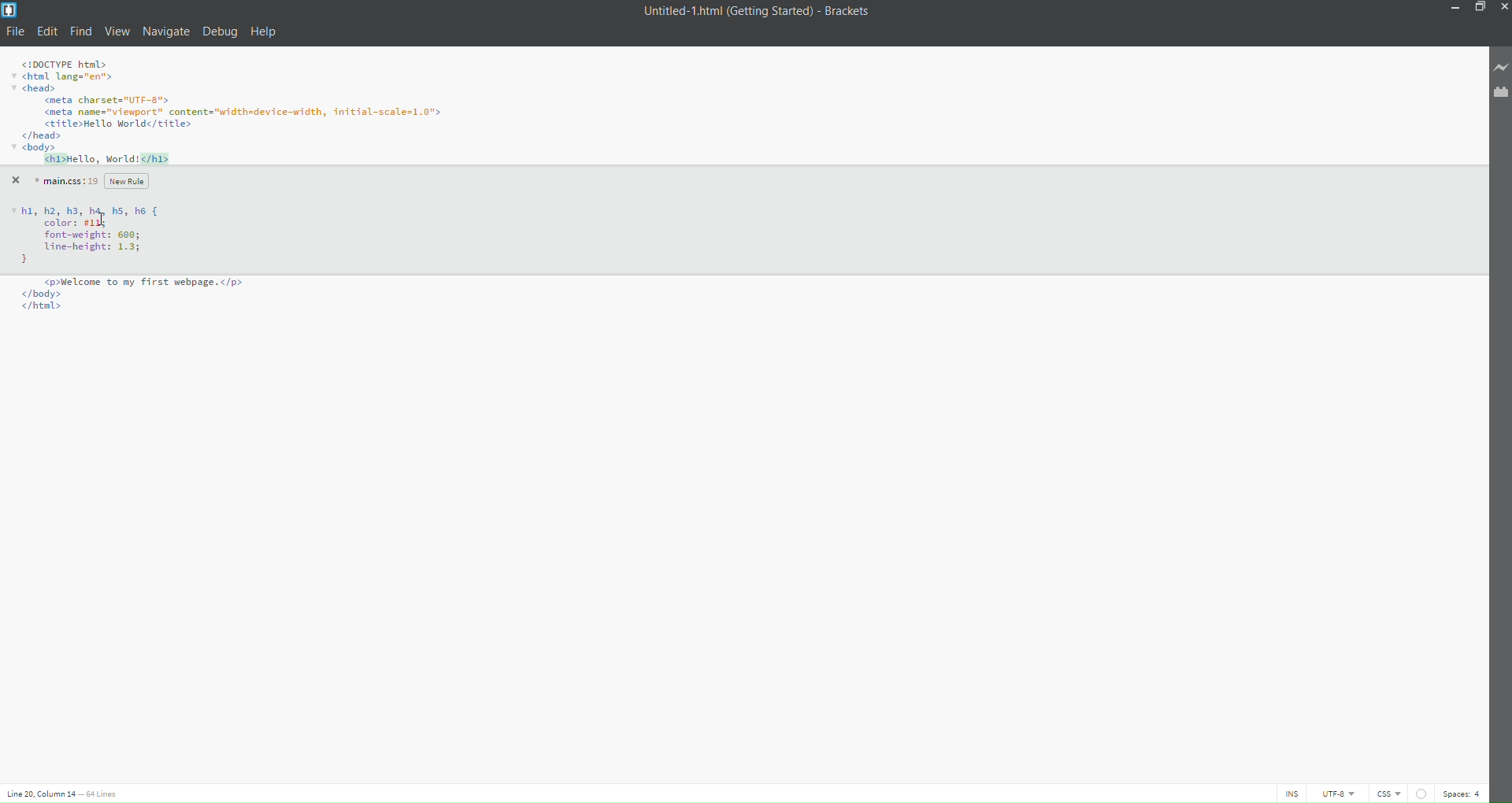  What do you see at coordinates (64, 180) in the screenshot?
I see `main.css` at bounding box center [64, 180].